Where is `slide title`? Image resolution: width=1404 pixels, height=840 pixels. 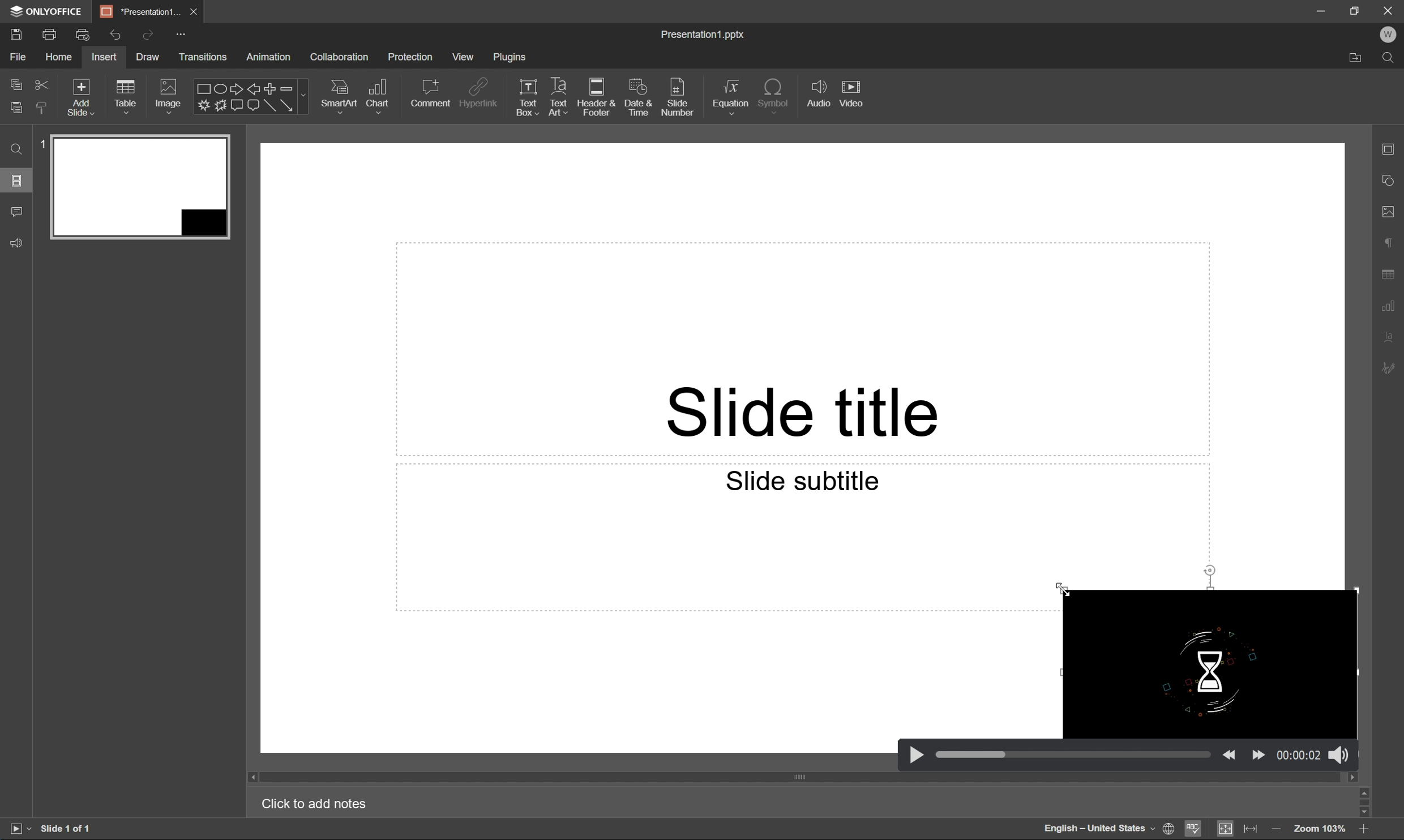 slide title is located at coordinates (794, 406).